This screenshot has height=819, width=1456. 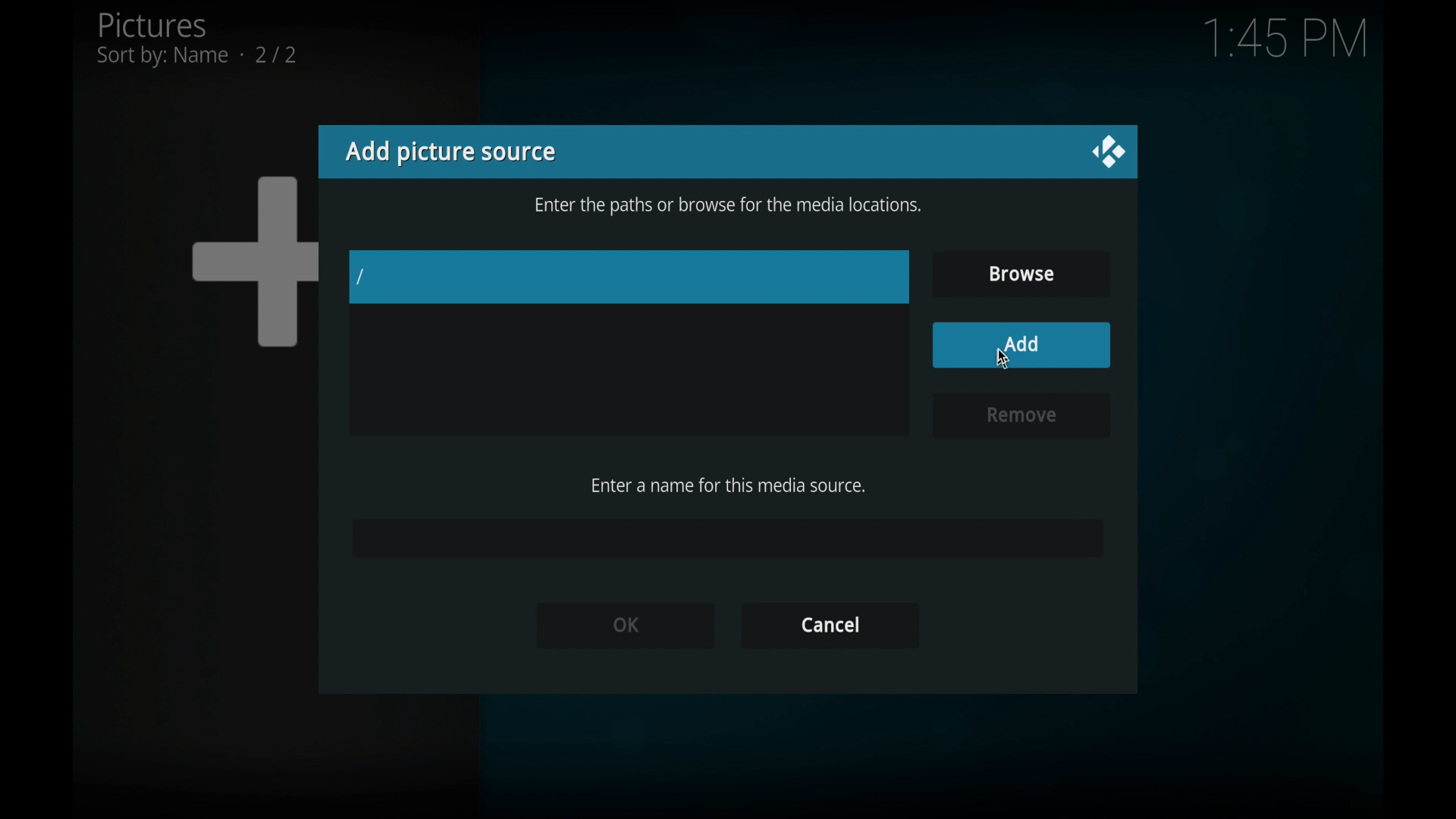 I want to click on time, so click(x=1285, y=39).